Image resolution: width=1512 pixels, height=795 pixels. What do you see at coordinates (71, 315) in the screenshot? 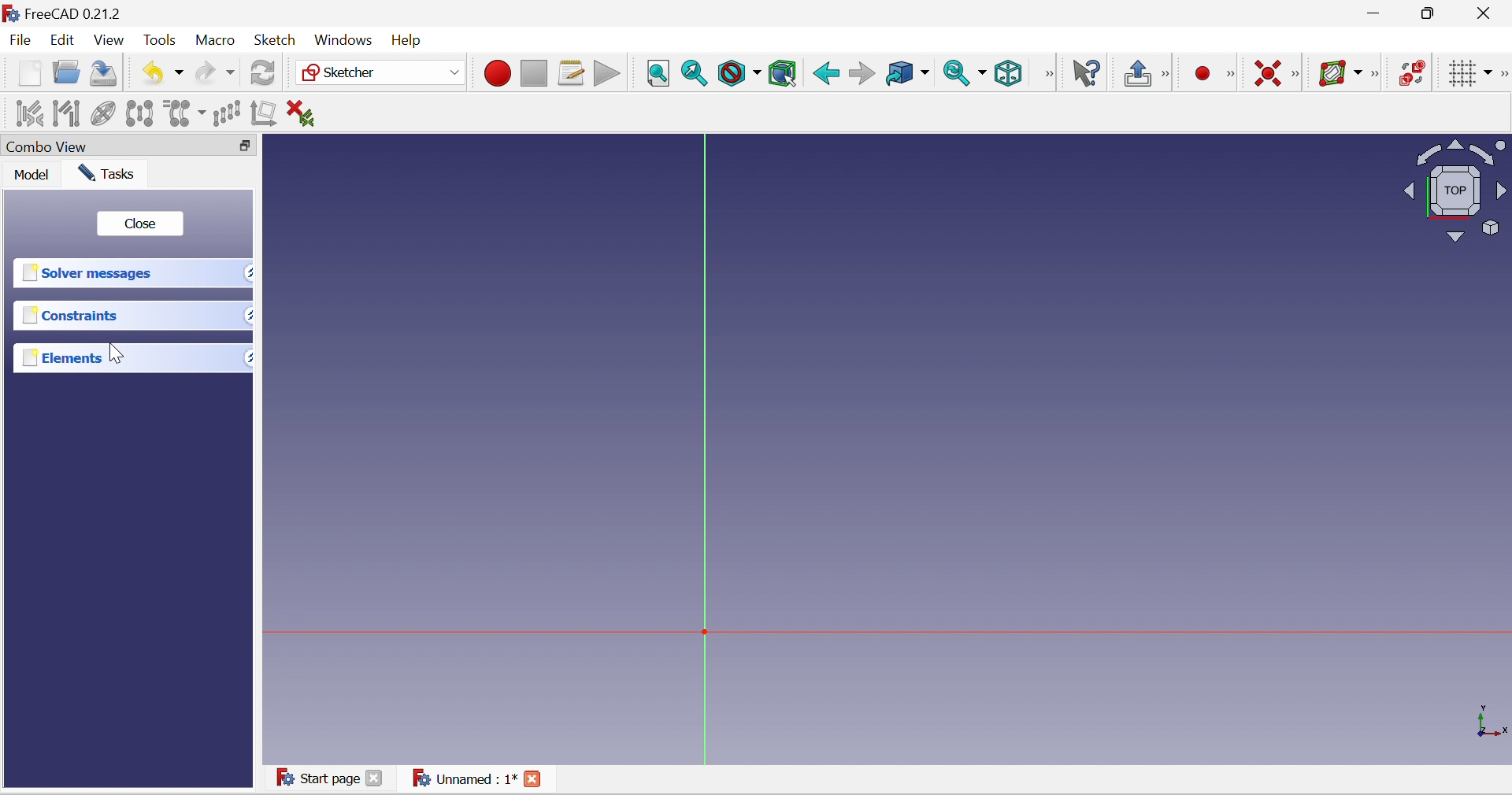
I see `Constraints` at bounding box center [71, 315].